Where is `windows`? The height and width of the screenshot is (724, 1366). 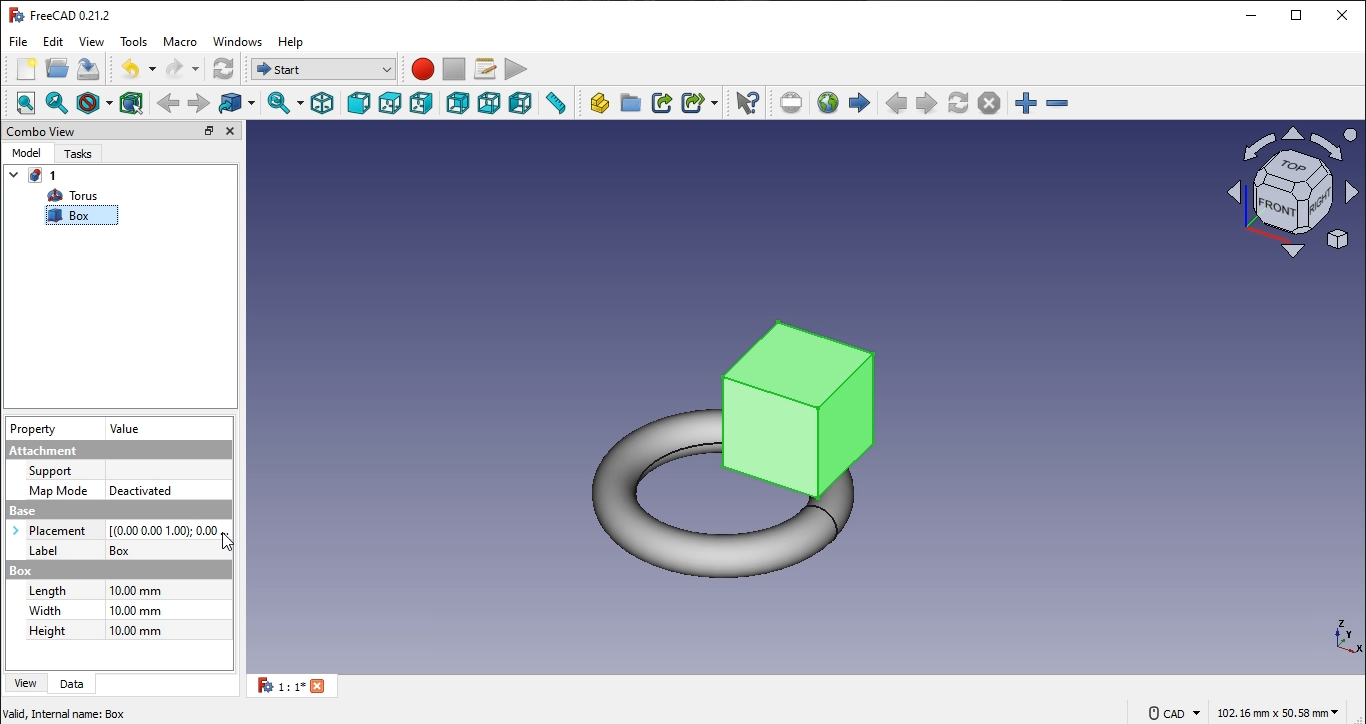
windows is located at coordinates (239, 43).